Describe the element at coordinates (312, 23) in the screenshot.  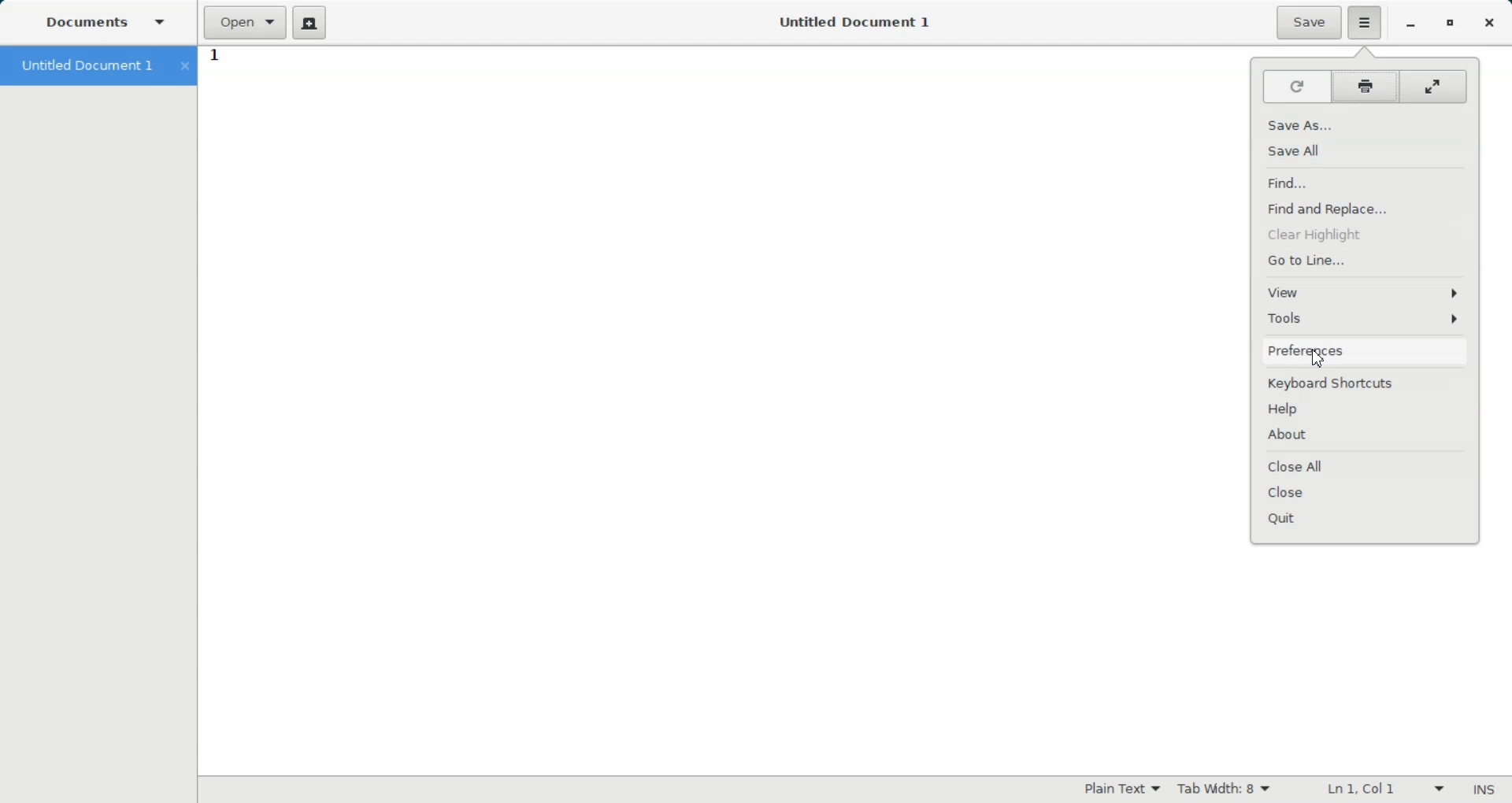
I see `Create a document` at that location.